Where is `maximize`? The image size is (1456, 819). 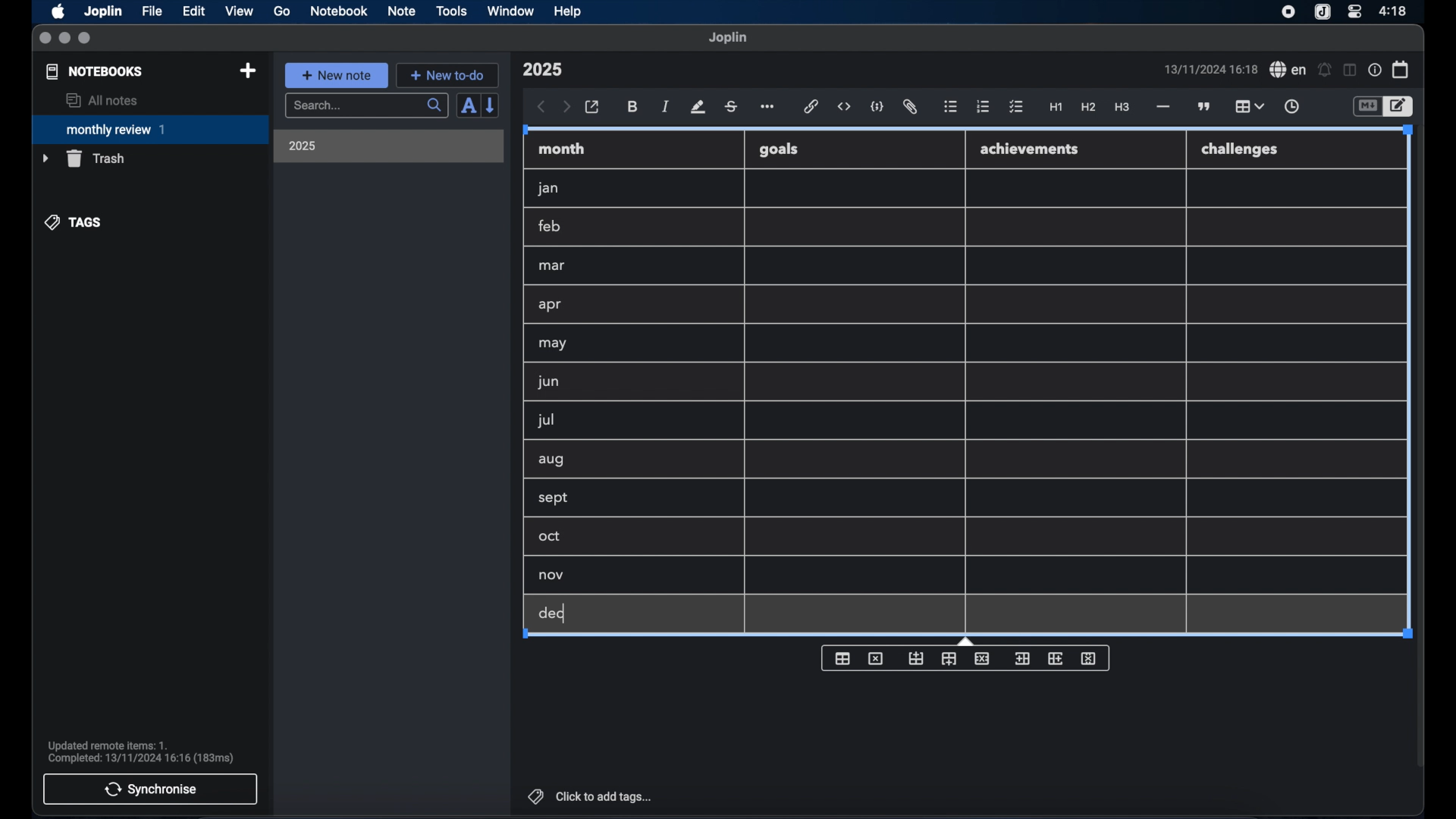 maximize is located at coordinates (86, 39).